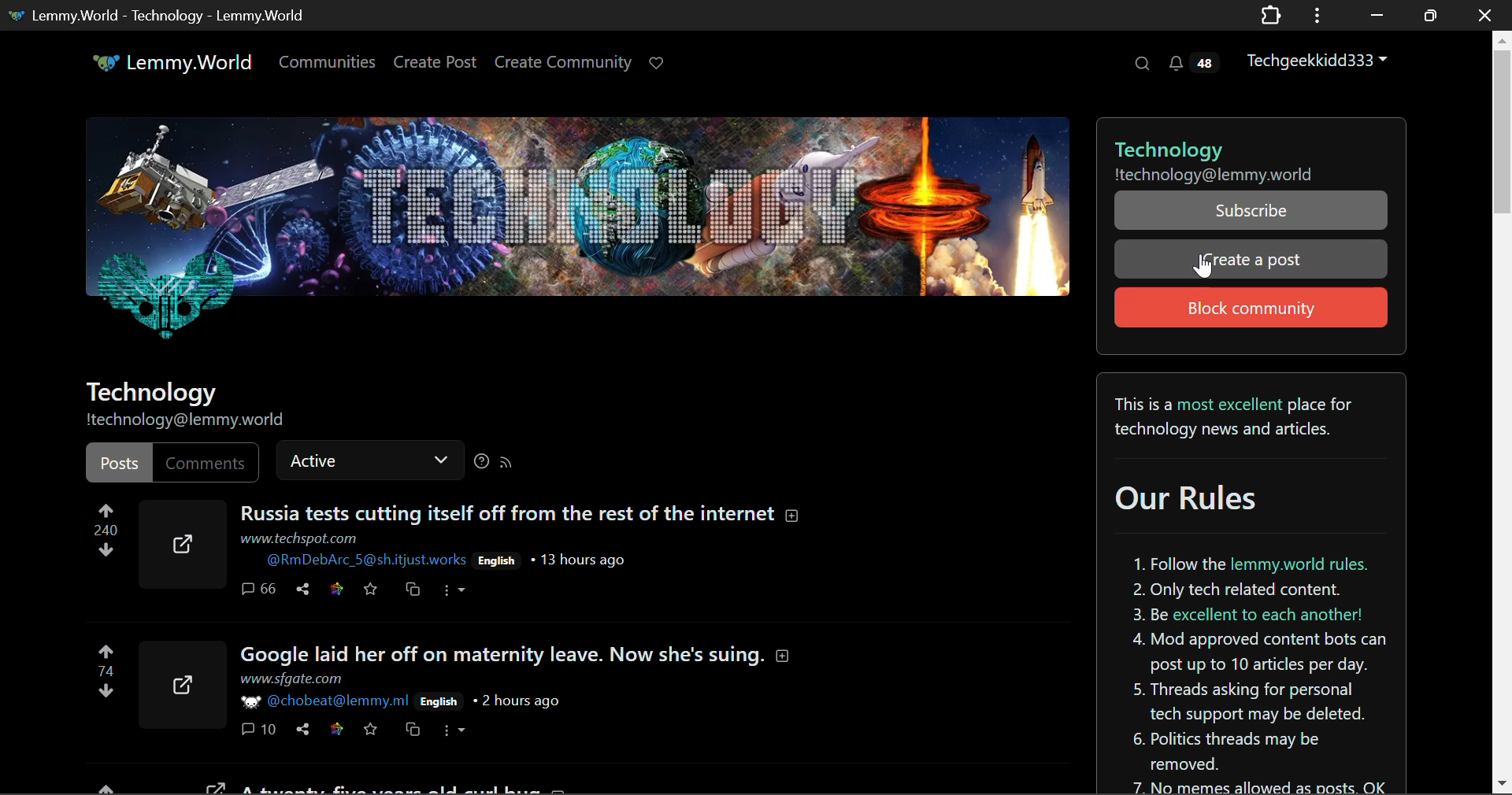 The height and width of the screenshot is (795, 1512). I want to click on Comments, so click(260, 729).